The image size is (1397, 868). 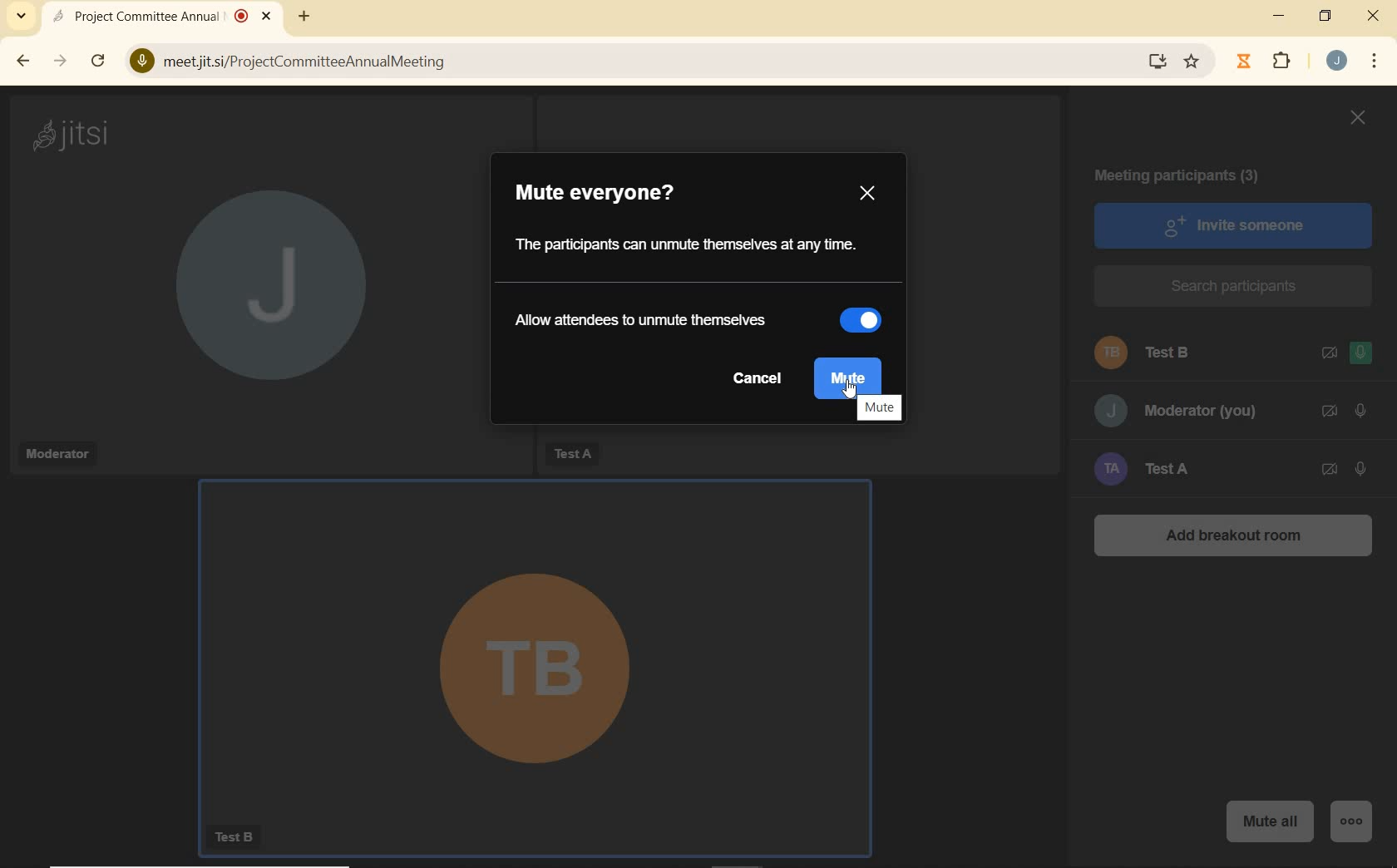 What do you see at coordinates (1357, 121) in the screenshot?
I see `CLOSE` at bounding box center [1357, 121].